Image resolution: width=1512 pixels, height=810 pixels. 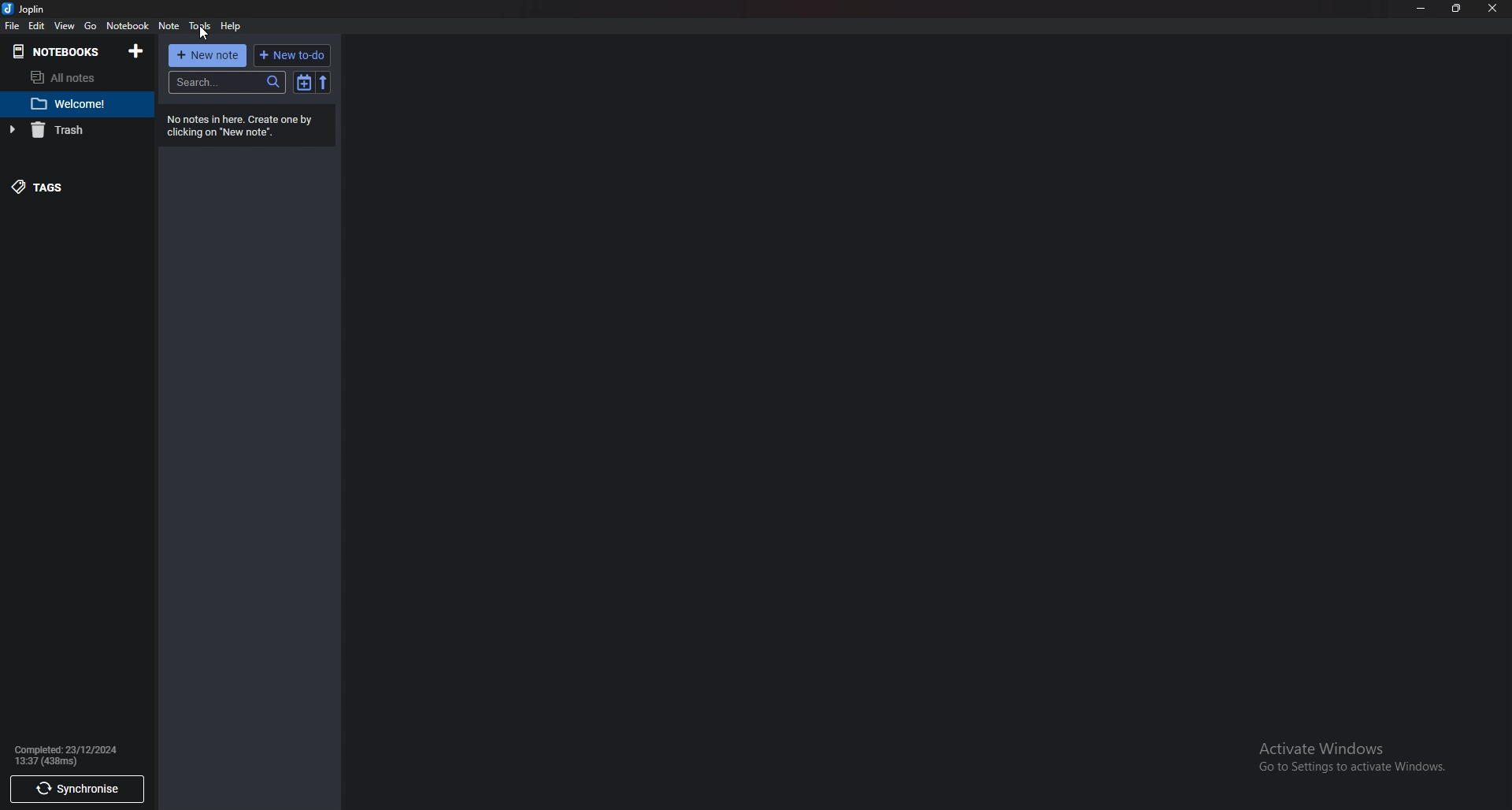 I want to click on info, so click(x=78, y=754).